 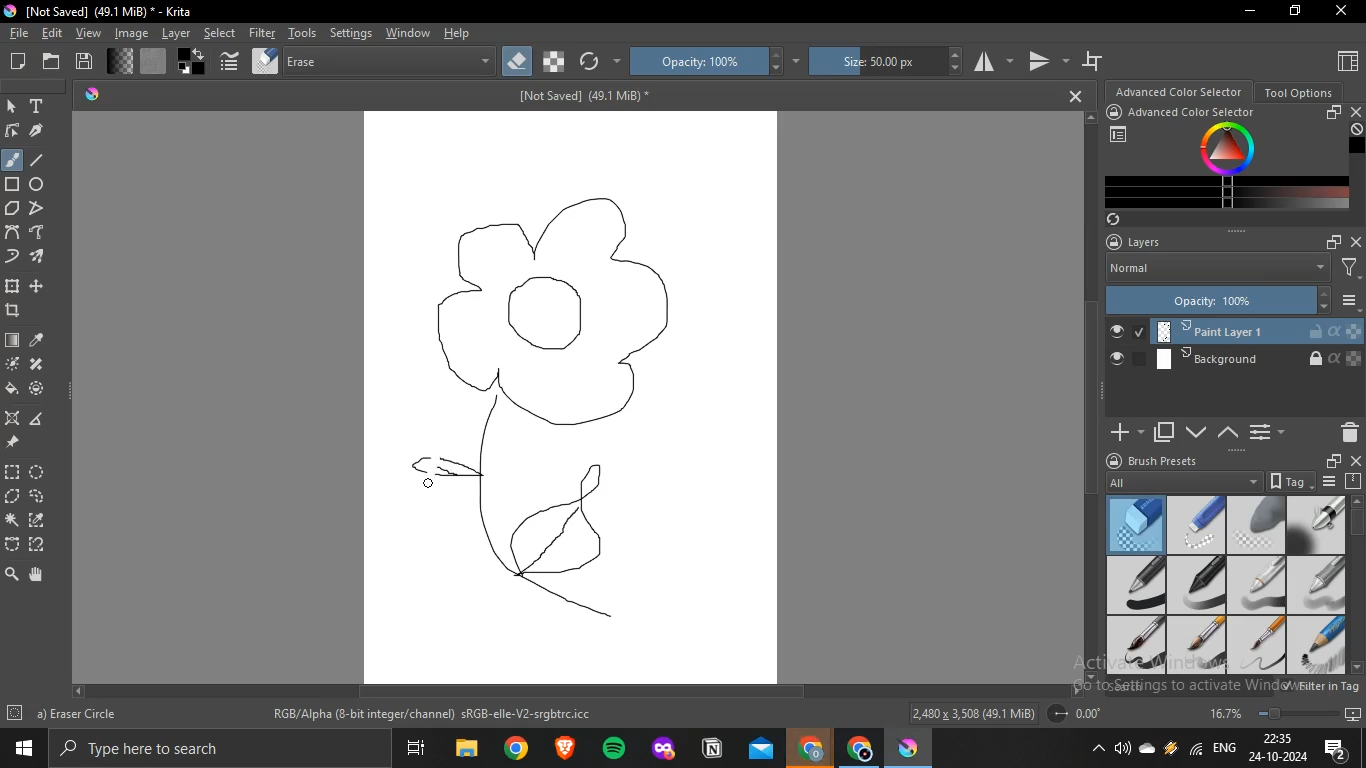 What do you see at coordinates (1138, 644) in the screenshot?
I see `basic 5 size` at bounding box center [1138, 644].